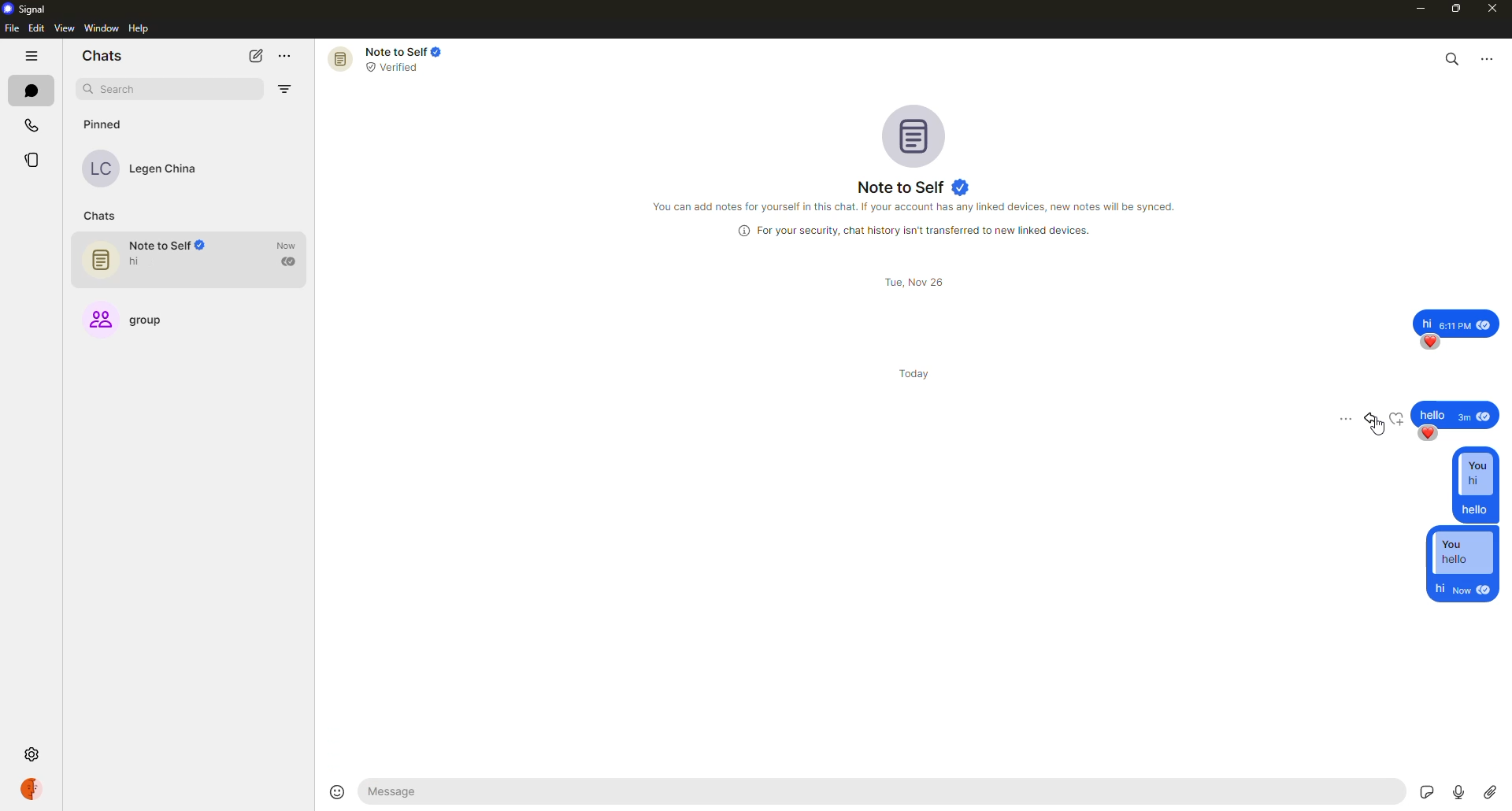  What do you see at coordinates (1373, 420) in the screenshot?
I see `reply` at bounding box center [1373, 420].